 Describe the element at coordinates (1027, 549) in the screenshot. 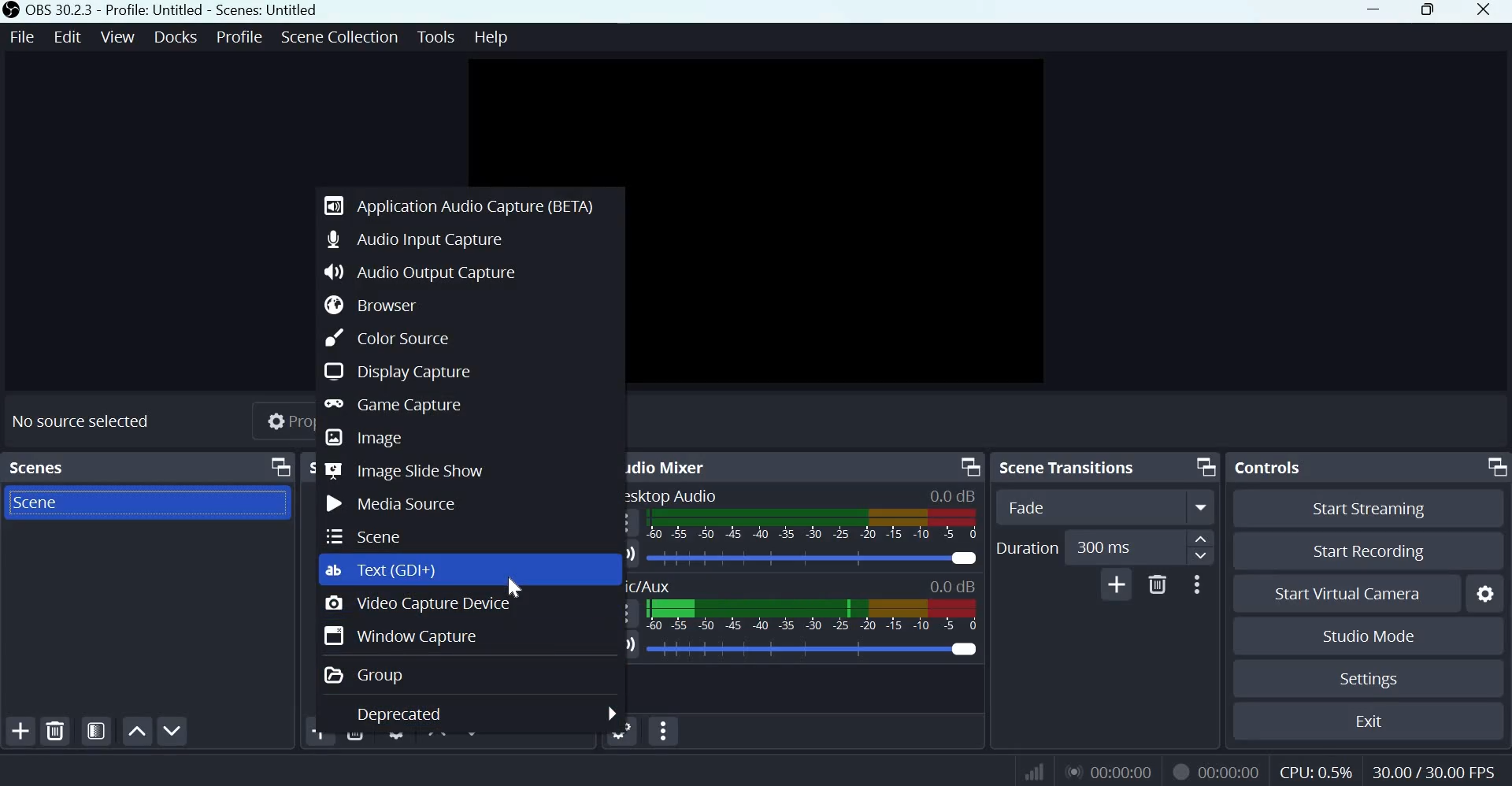

I see `Duration` at that location.